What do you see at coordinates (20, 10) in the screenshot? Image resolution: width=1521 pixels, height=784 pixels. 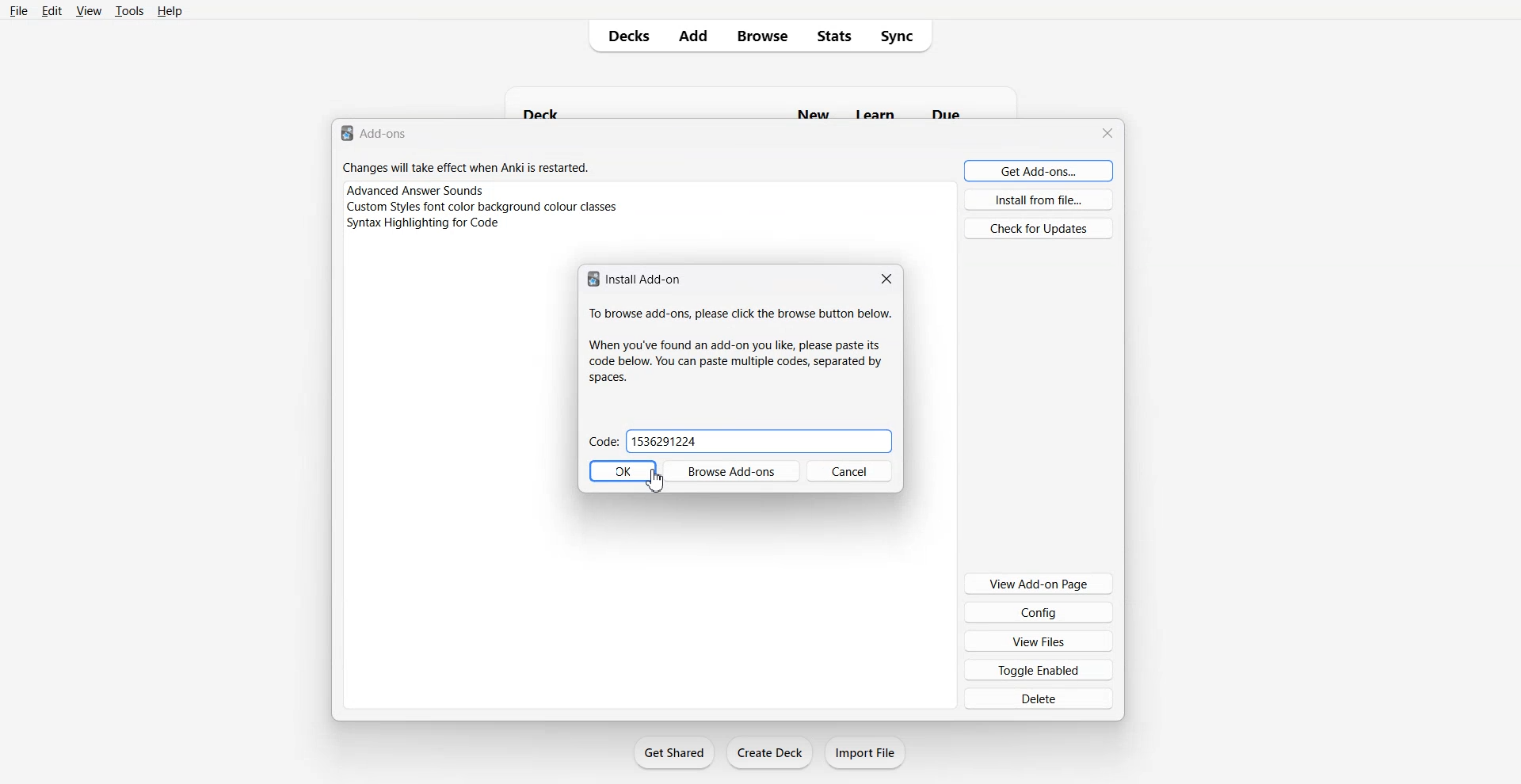 I see `File` at bounding box center [20, 10].